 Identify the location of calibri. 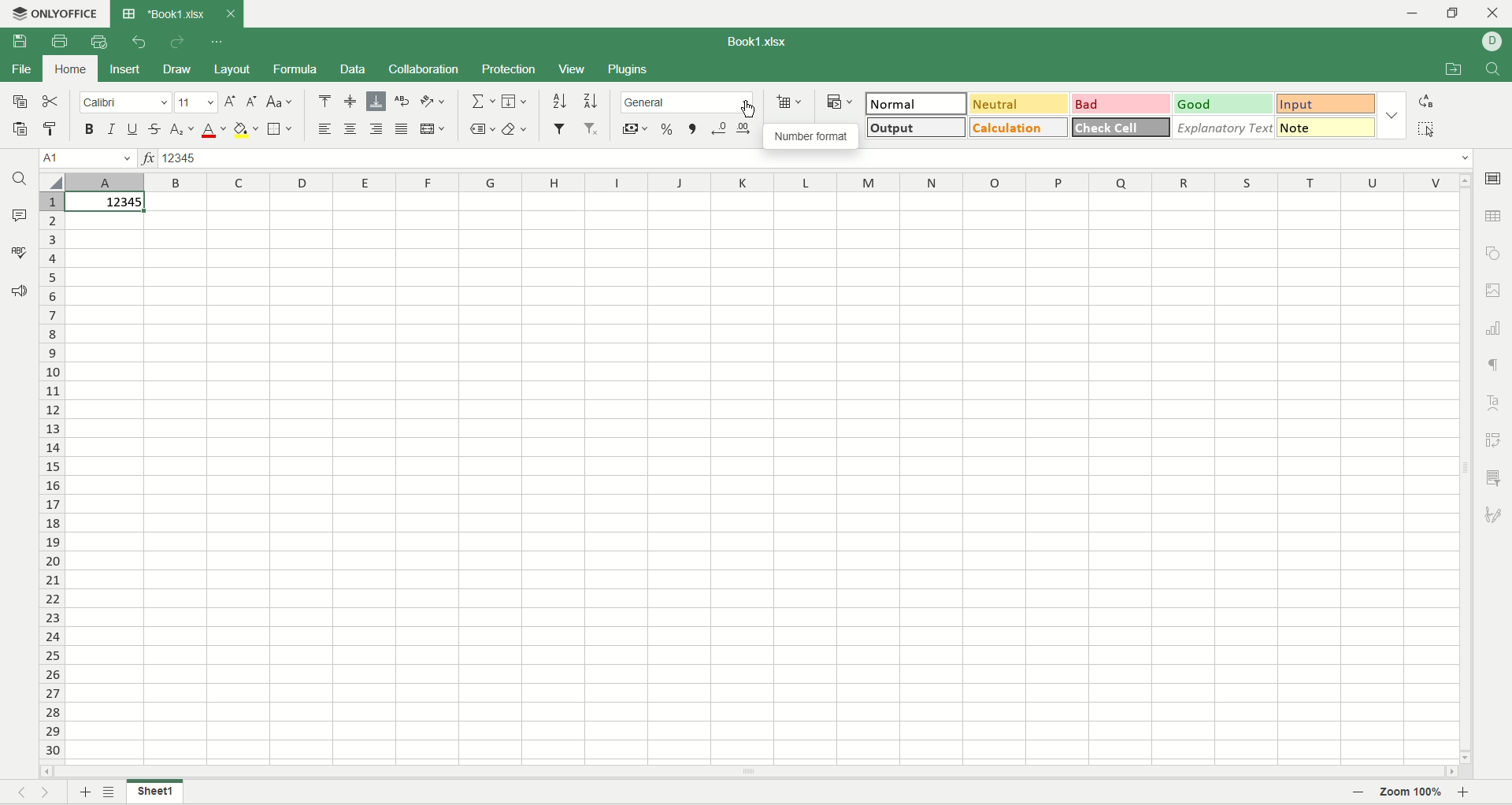
(128, 102).